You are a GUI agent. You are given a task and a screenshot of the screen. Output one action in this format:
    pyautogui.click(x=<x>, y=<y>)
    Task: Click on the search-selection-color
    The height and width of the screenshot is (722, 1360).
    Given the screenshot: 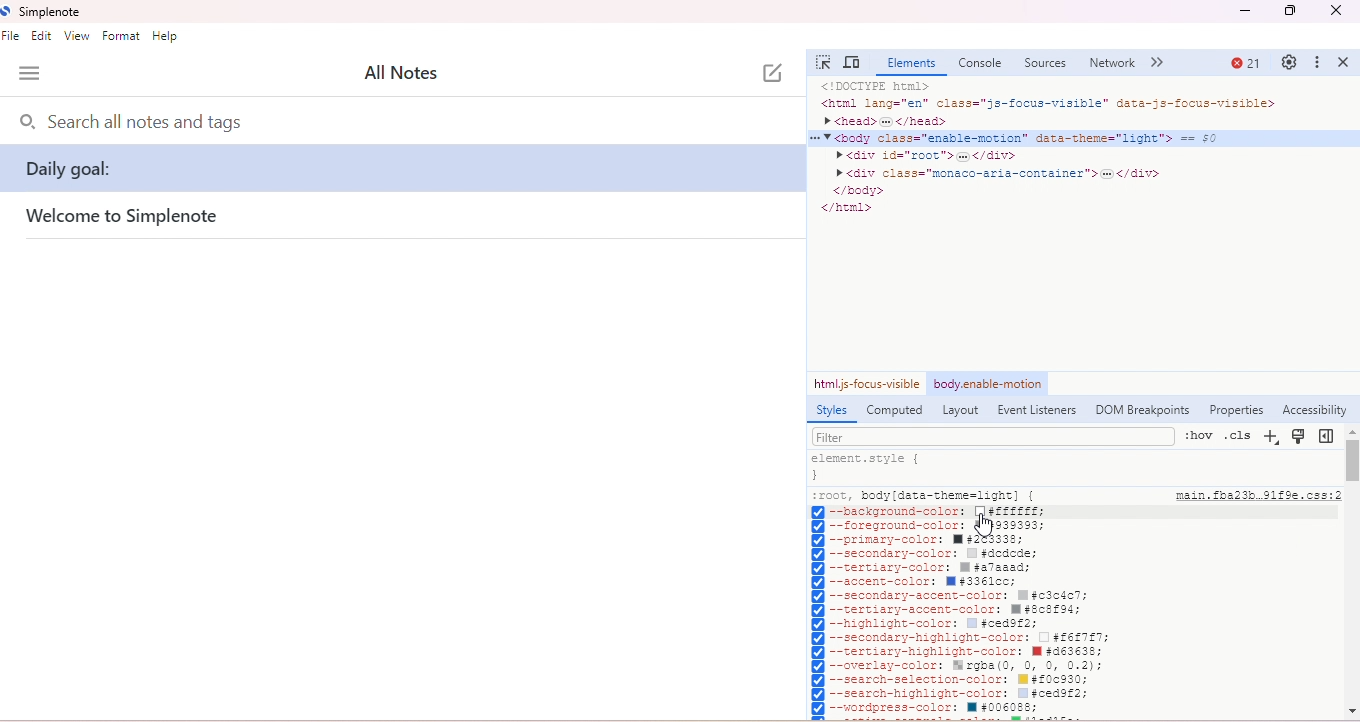 What is the action you would take?
    pyautogui.click(x=952, y=681)
    